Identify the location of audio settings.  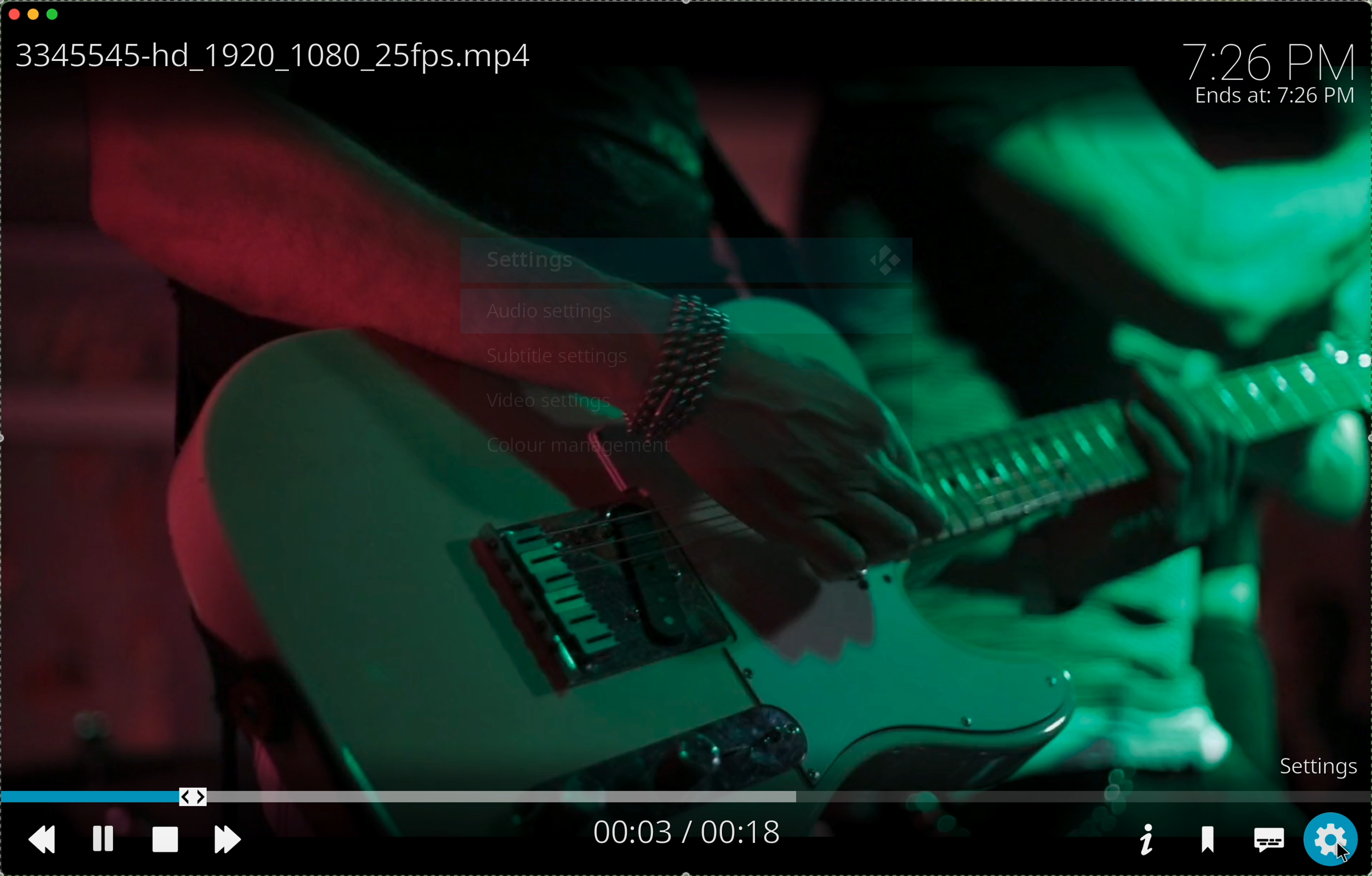
(539, 300).